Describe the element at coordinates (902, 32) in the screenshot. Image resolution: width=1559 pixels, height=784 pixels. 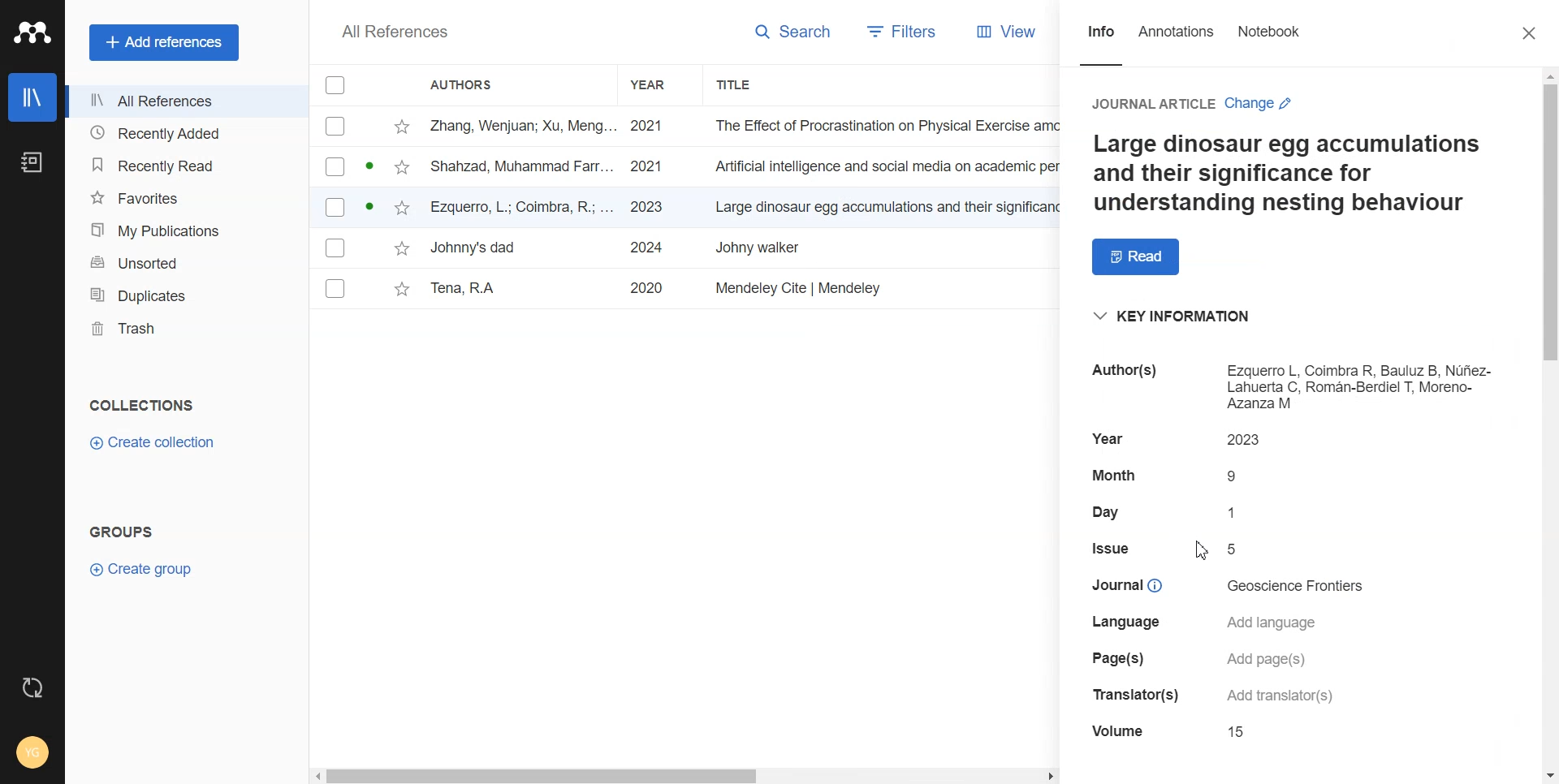
I see `Filters` at that location.